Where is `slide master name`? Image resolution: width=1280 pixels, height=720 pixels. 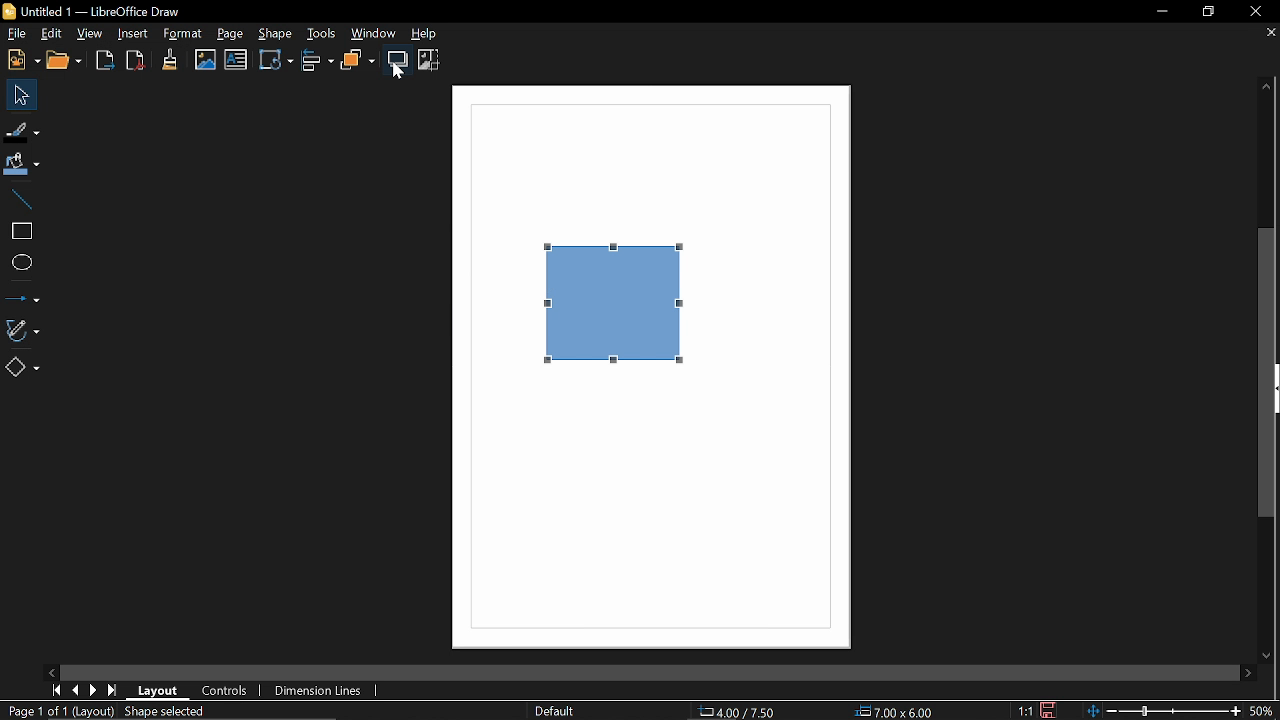 slide master name is located at coordinates (554, 712).